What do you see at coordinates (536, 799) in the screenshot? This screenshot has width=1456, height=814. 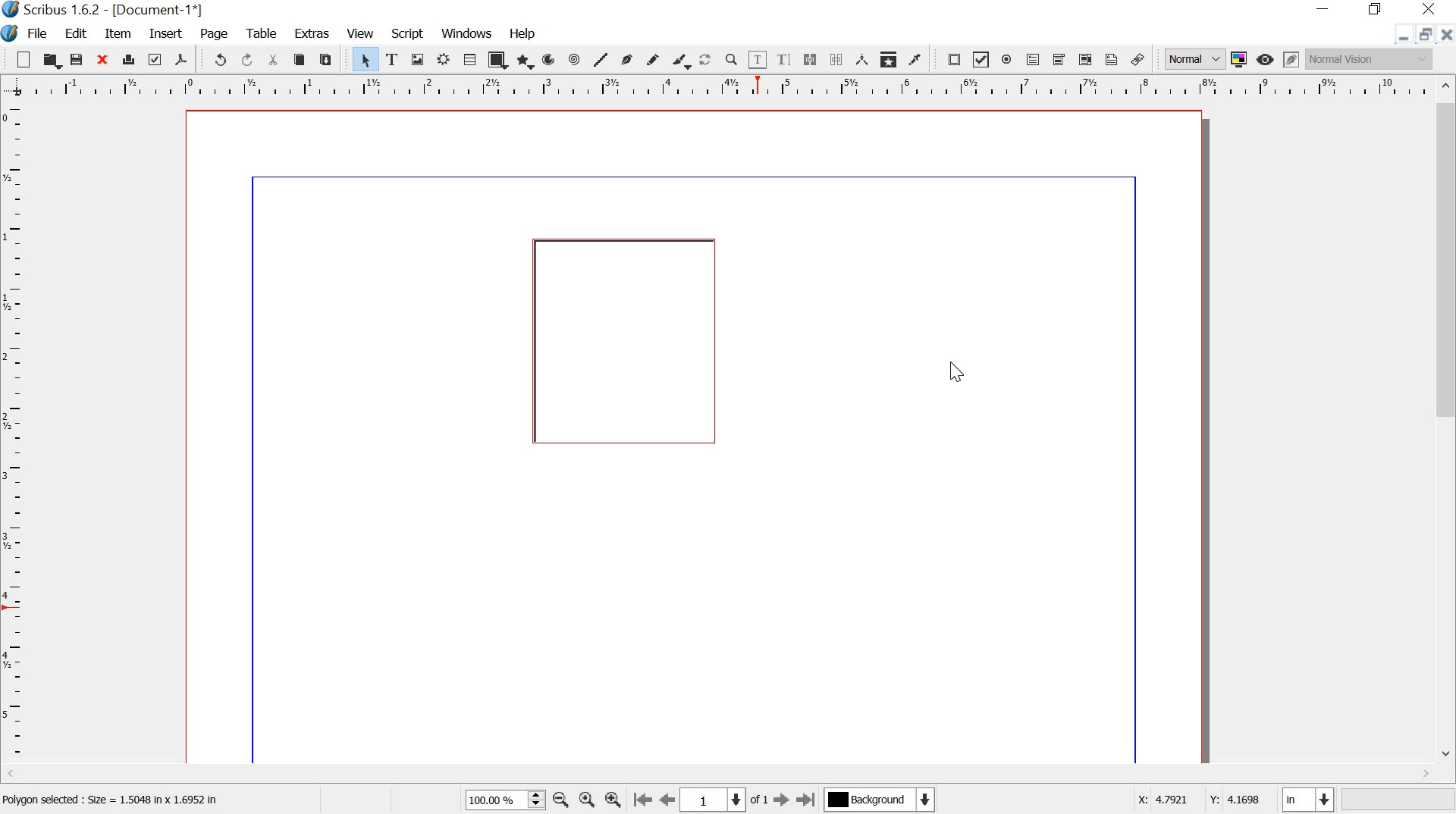 I see `zoom in and out` at bounding box center [536, 799].